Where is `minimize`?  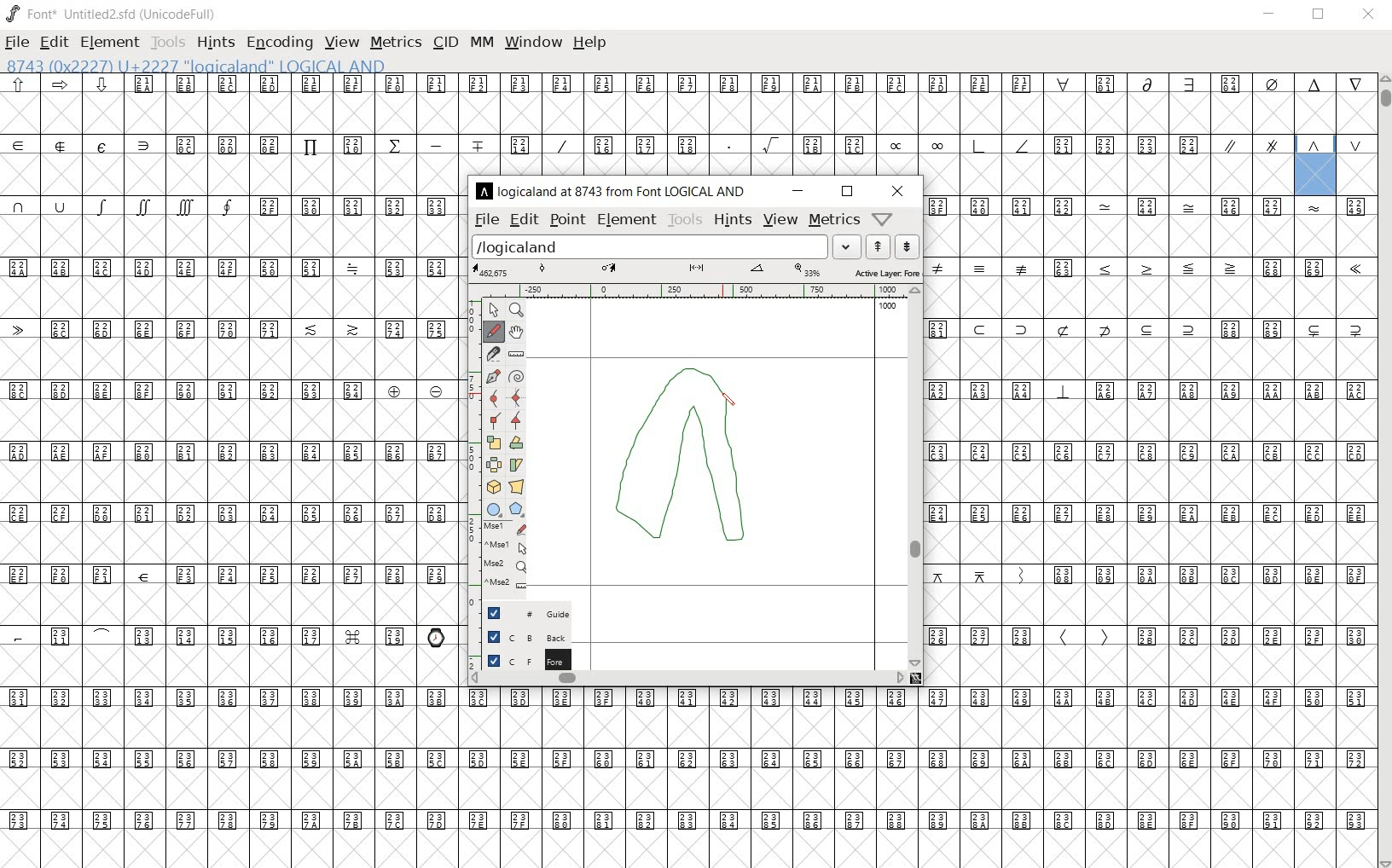 minimize is located at coordinates (1272, 15).